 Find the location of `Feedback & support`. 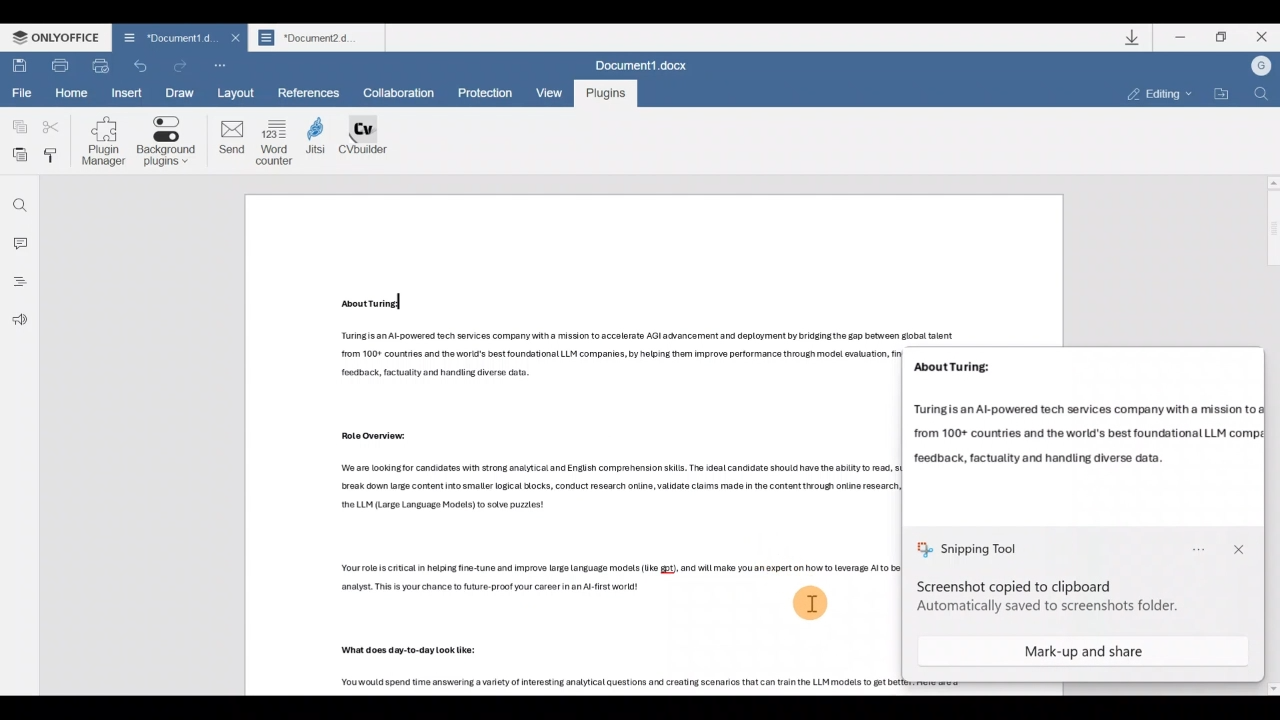

Feedback & support is located at coordinates (18, 323).